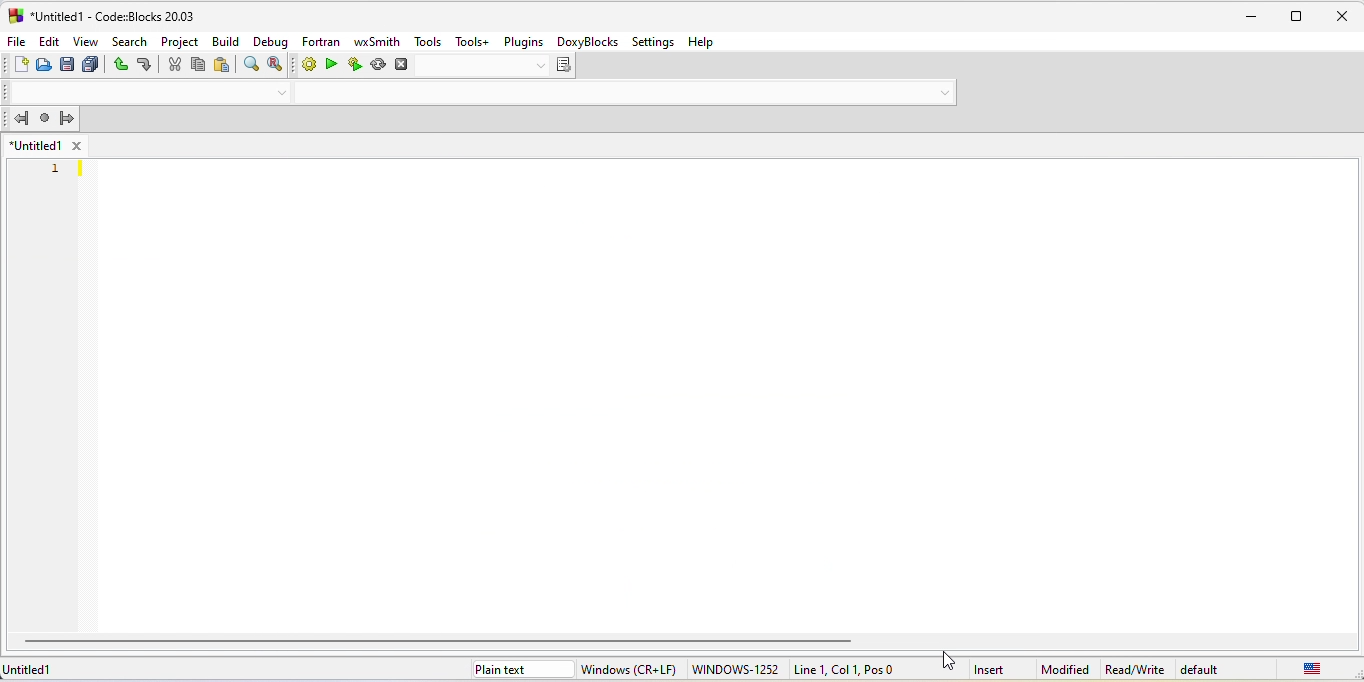  I want to click on edit, so click(47, 41).